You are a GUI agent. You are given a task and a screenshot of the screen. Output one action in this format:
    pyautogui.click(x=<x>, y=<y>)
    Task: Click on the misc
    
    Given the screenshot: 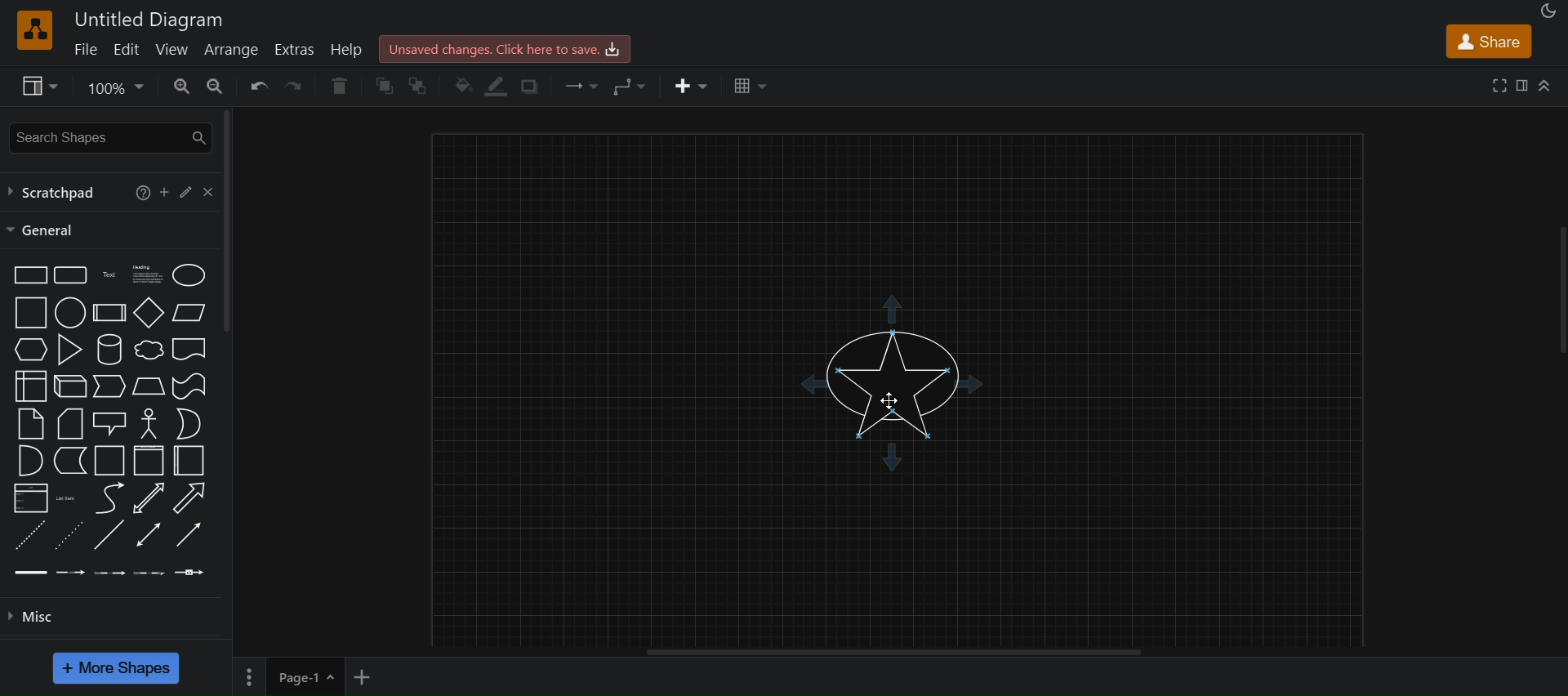 What is the action you would take?
    pyautogui.click(x=38, y=617)
    